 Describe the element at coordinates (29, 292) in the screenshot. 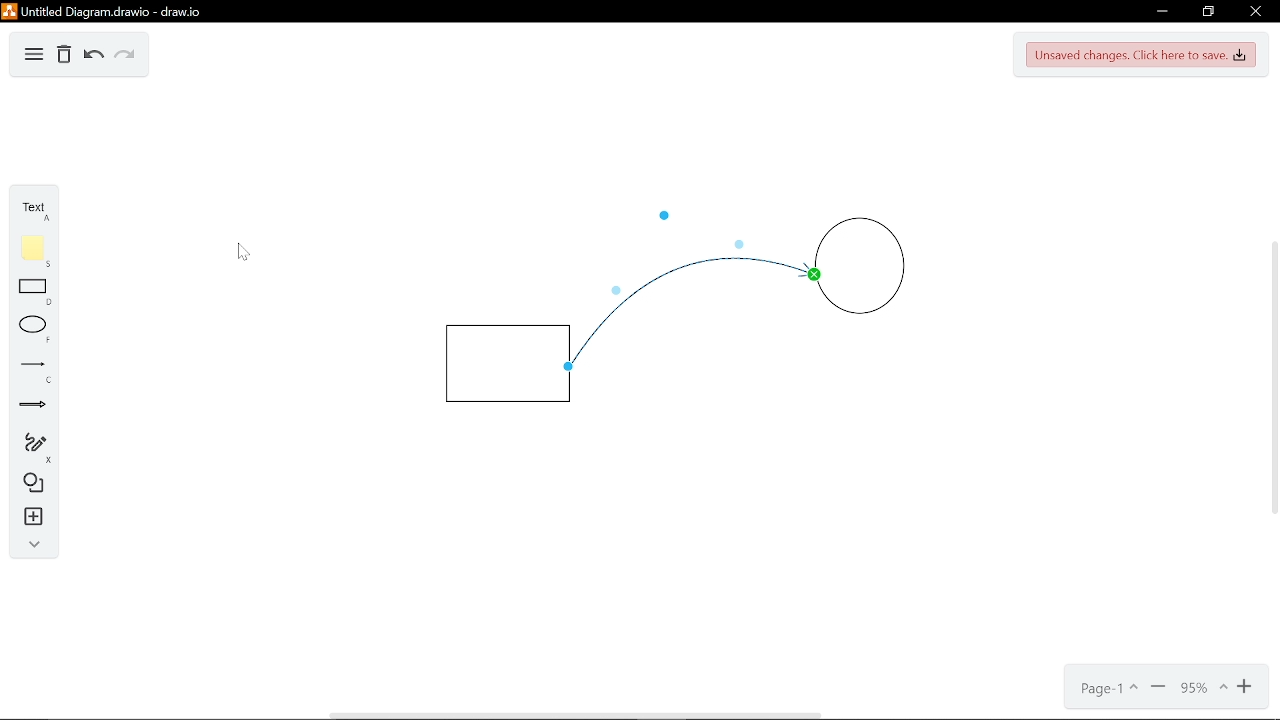

I see `Rectangle` at that location.